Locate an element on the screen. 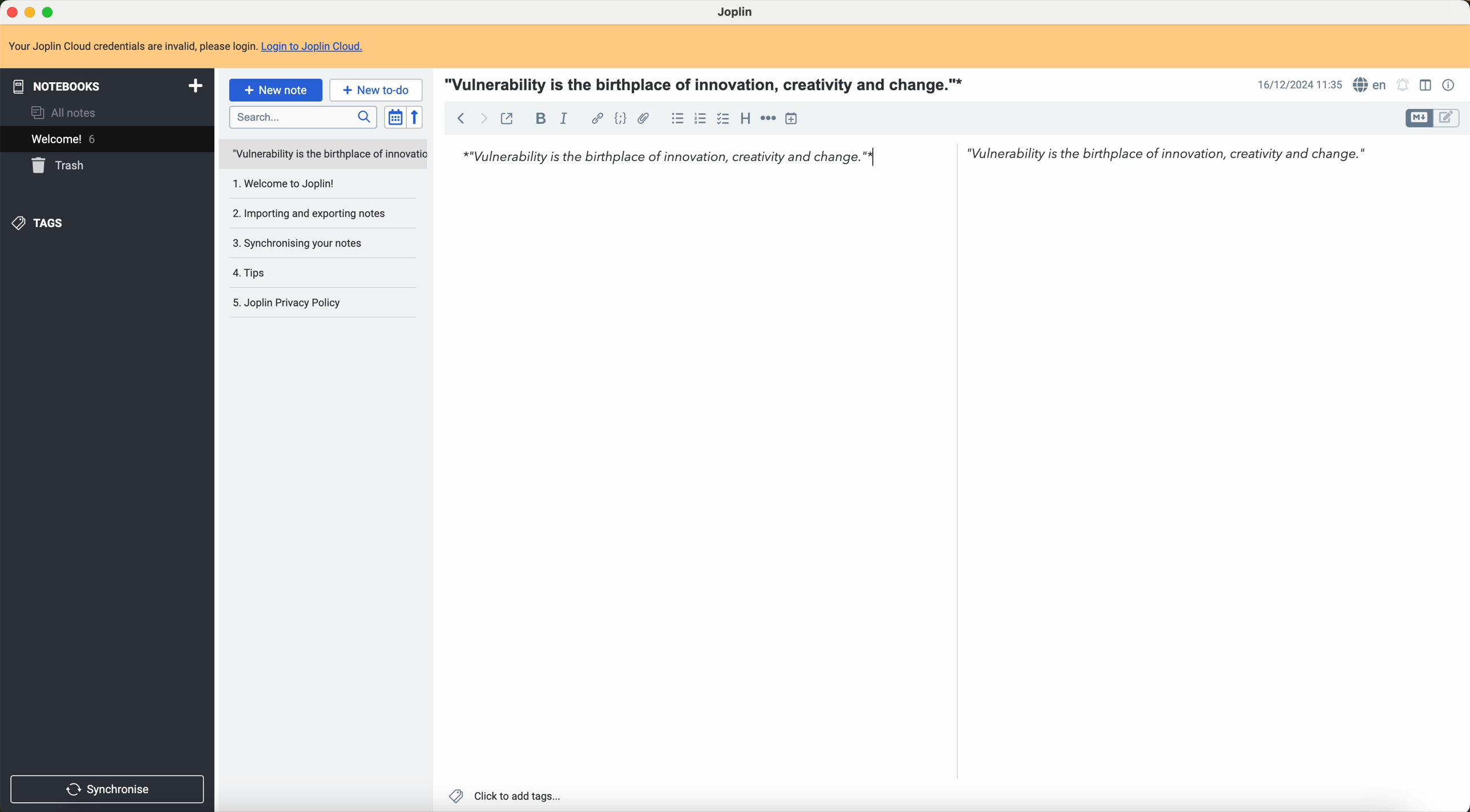 Image resolution: width=1470 pixels, height=812 pixels. 3. Synchronising your notes is located at coordinates (302, 244).